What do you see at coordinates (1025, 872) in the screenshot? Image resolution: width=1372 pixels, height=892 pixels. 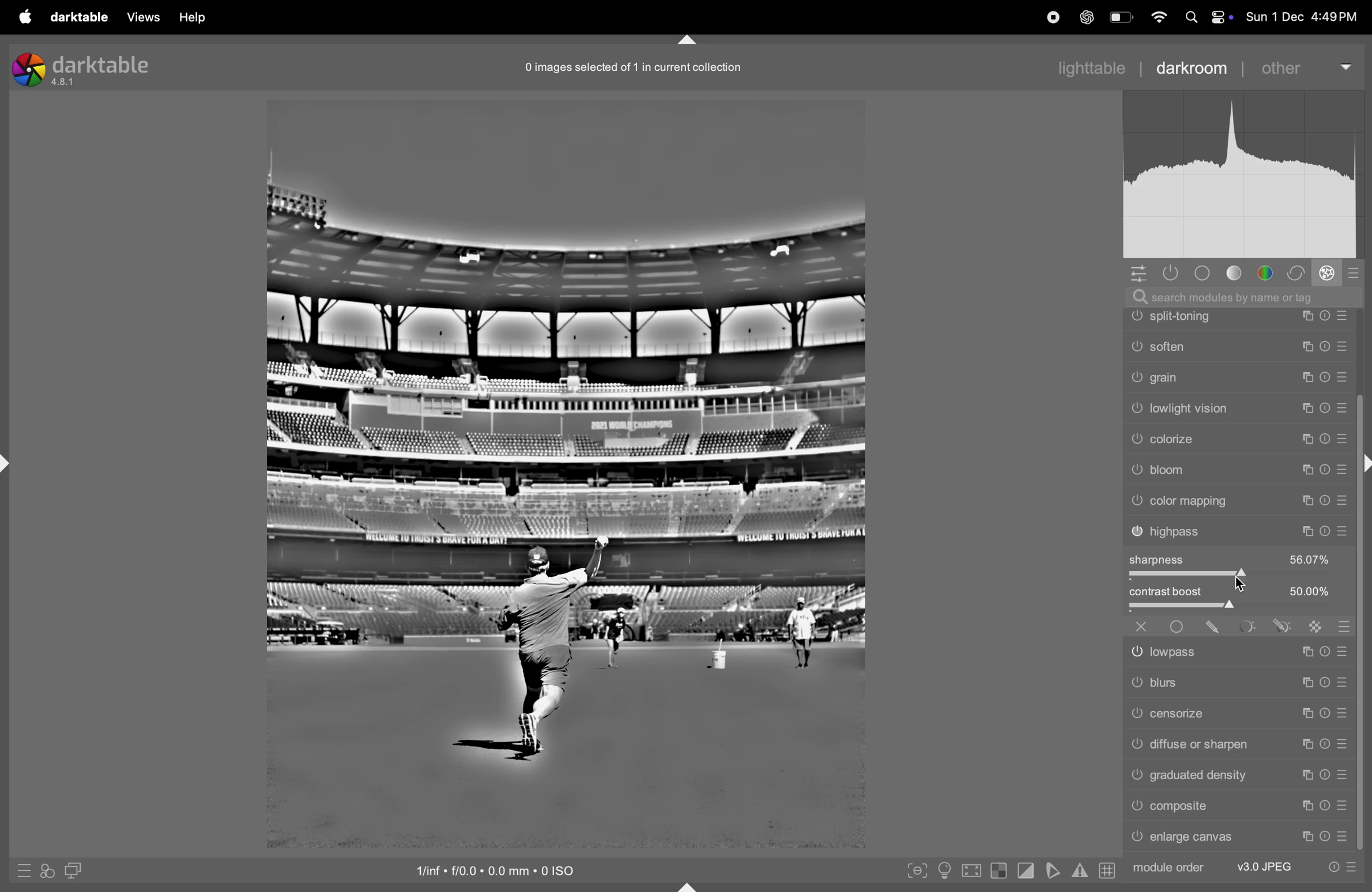 I see `toggle clipping indications` at bounding box center [1025, 872].